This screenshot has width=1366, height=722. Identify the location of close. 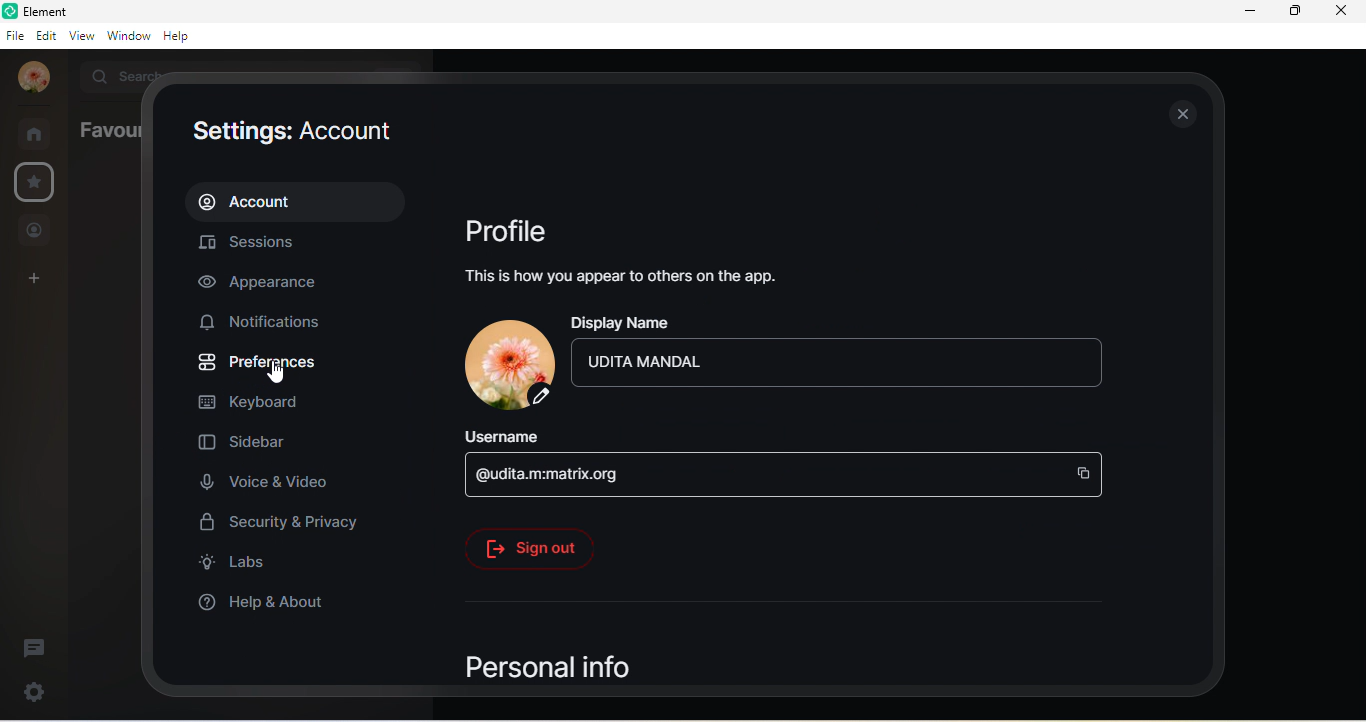
(1180, 116).